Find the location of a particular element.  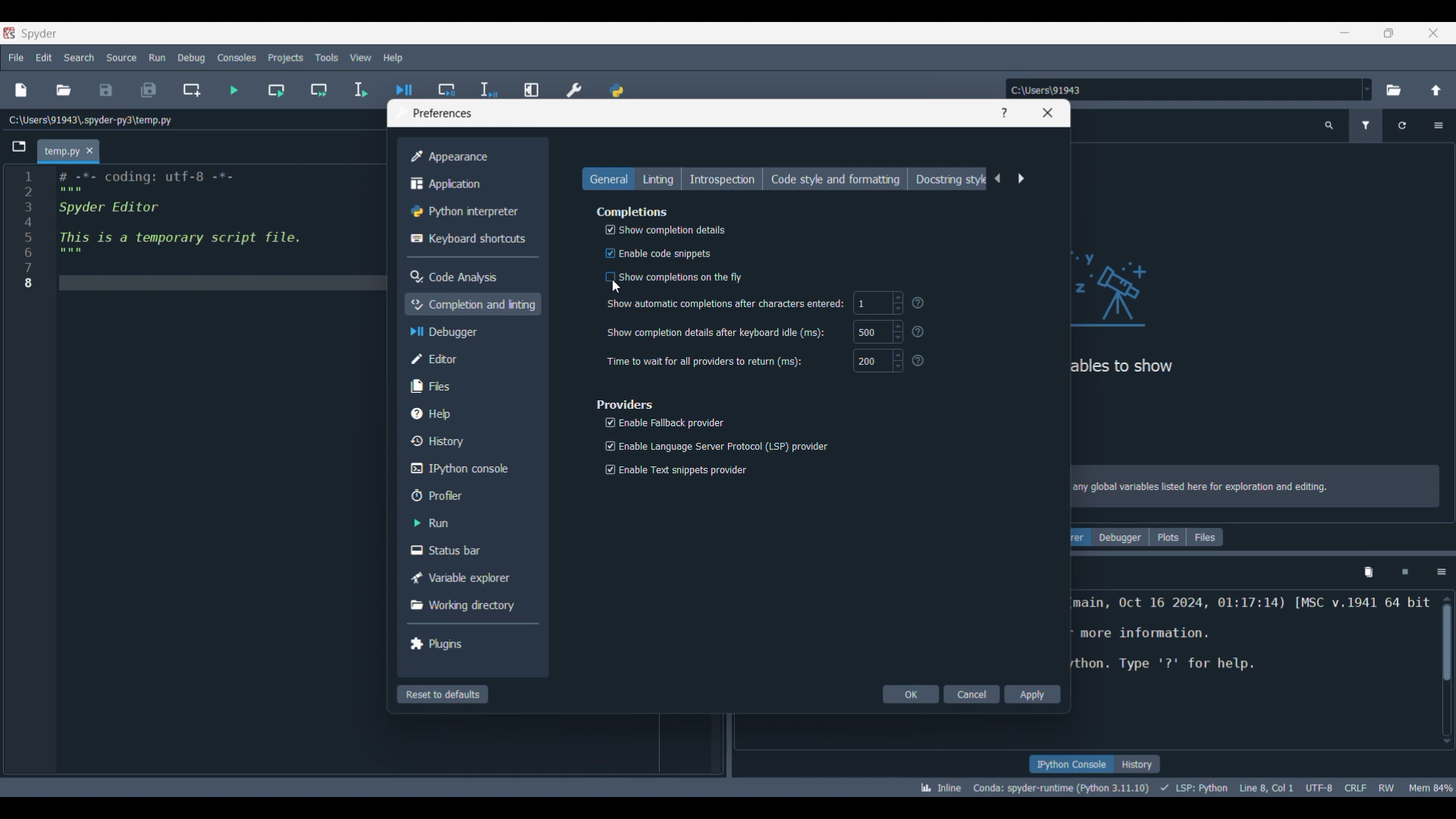

Editor is located at coordinates (471, 359).